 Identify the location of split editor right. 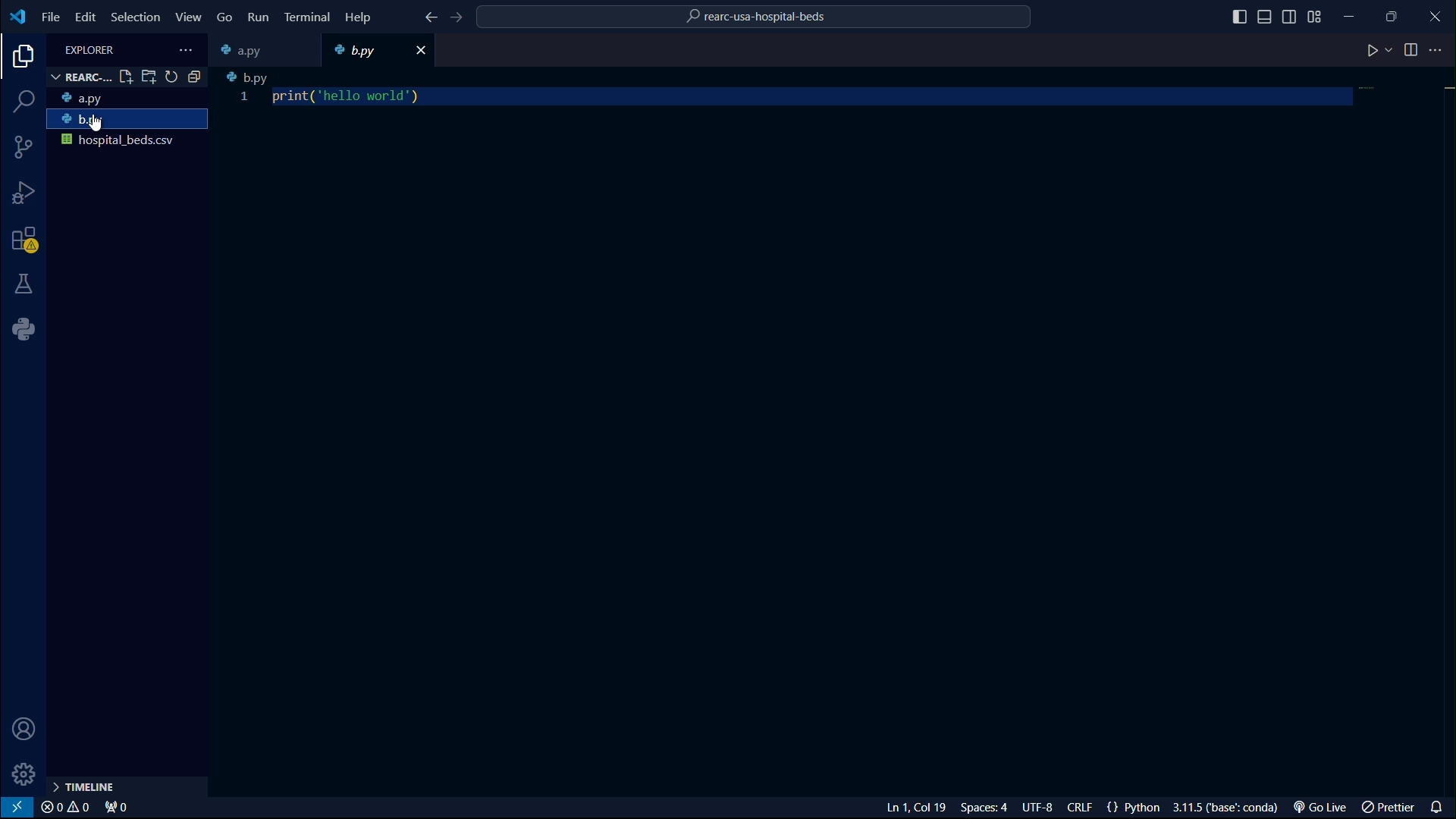
(1405, 49).